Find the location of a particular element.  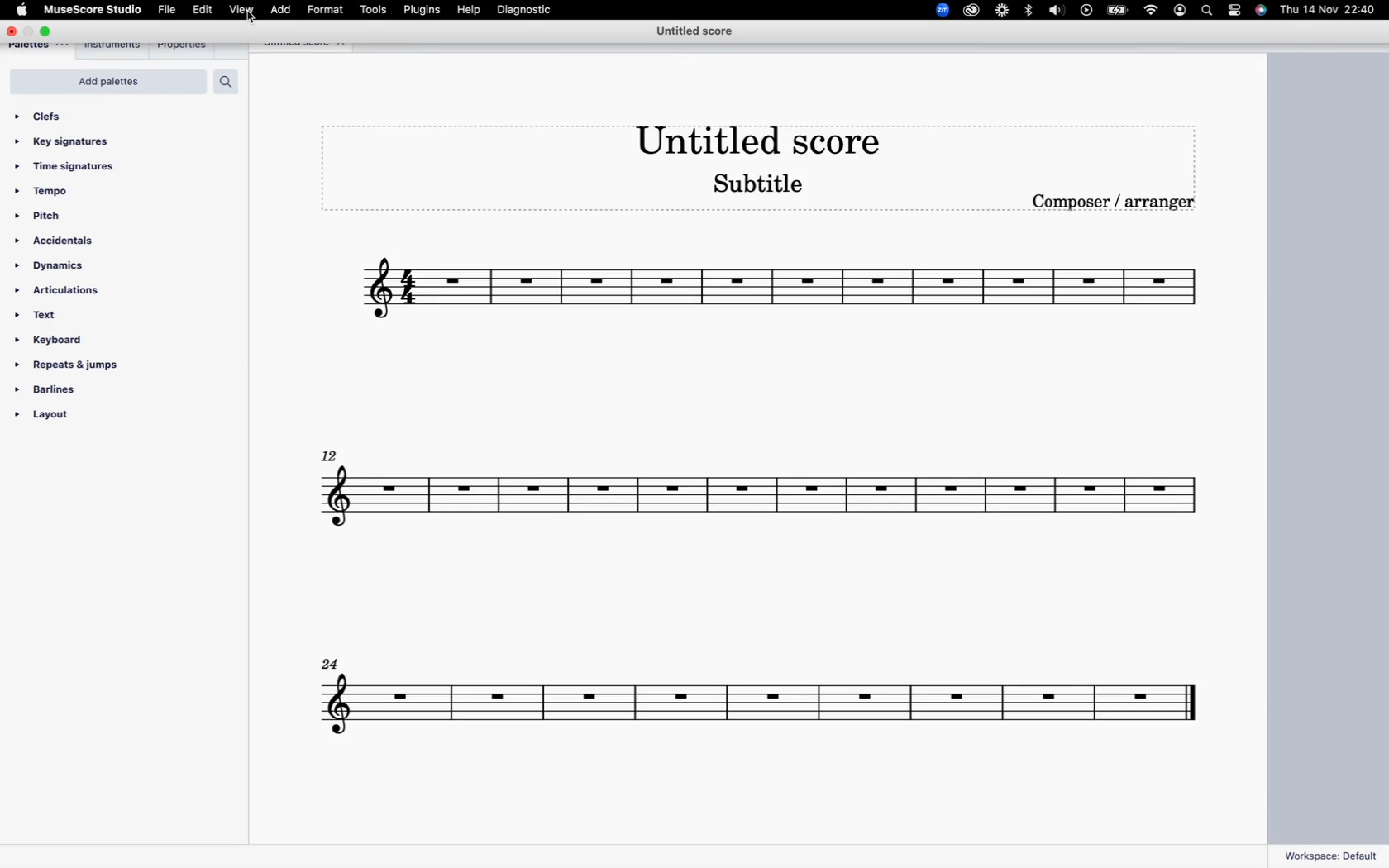

battery is located at coordinates (1118, 12).